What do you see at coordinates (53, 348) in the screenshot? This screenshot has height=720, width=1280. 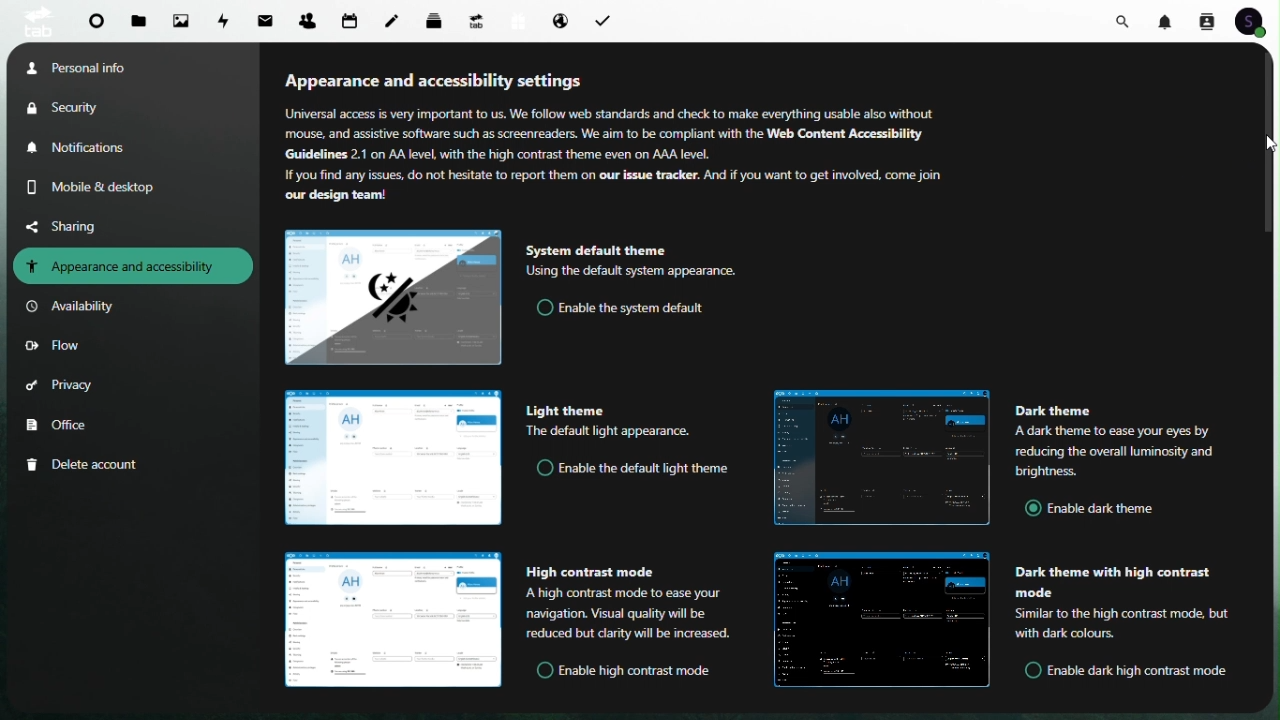 I see `flow` at bounding box center [53, 348].